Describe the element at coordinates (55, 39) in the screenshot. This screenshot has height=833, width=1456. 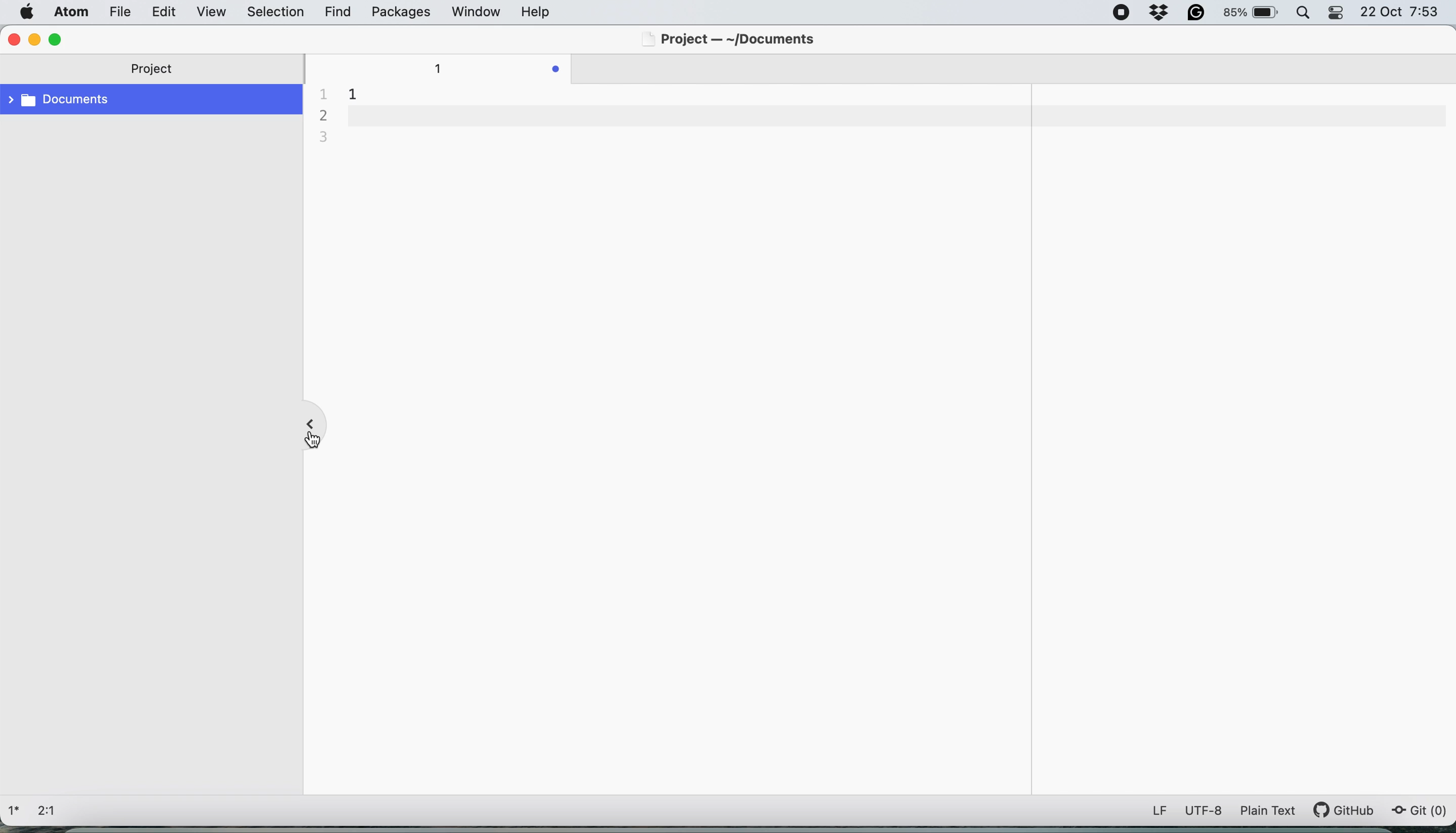
I see `maximise` at that location.